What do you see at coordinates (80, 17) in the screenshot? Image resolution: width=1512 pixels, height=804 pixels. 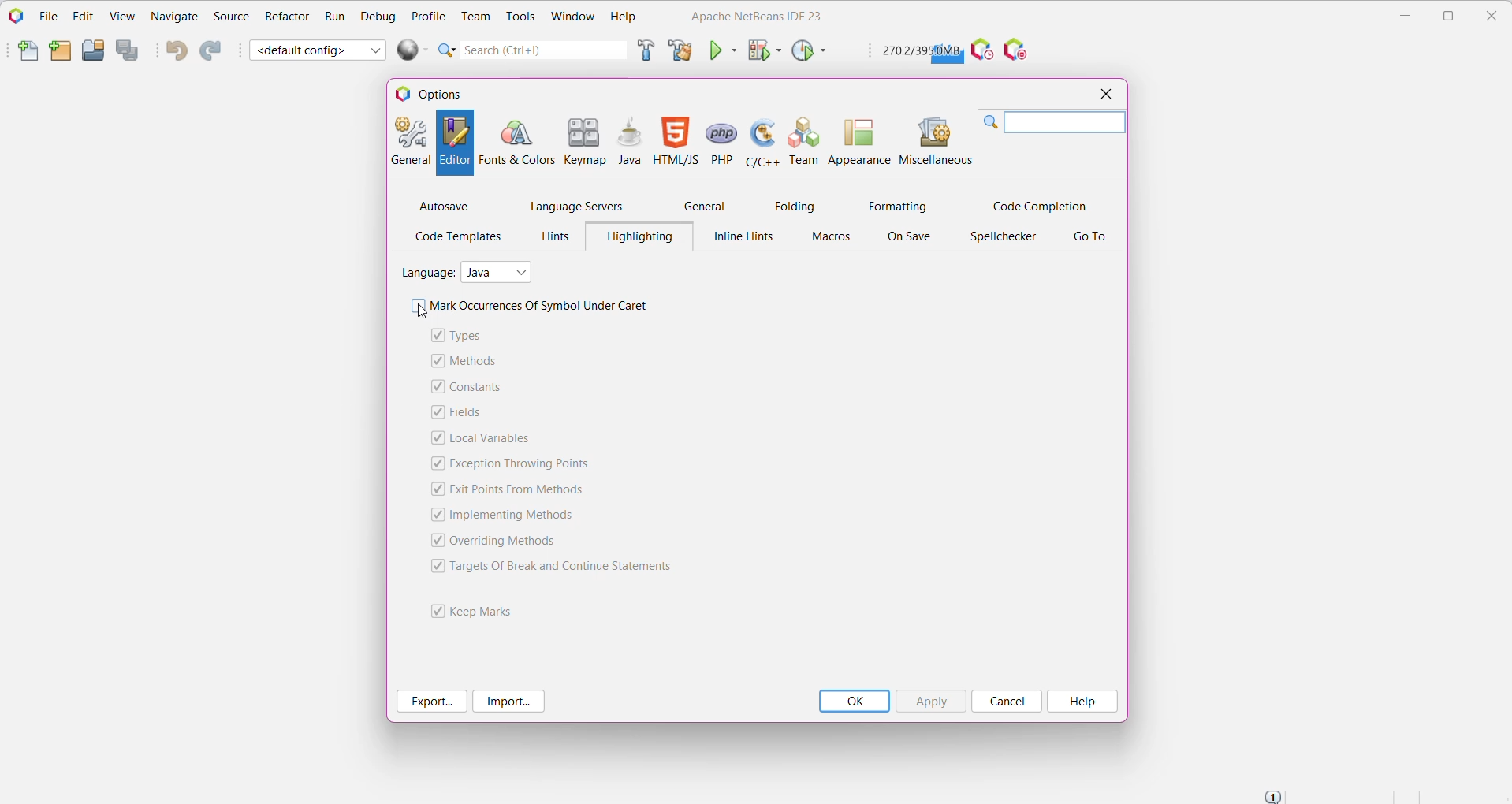 I see `Edit` at bounding box center [80, 17].